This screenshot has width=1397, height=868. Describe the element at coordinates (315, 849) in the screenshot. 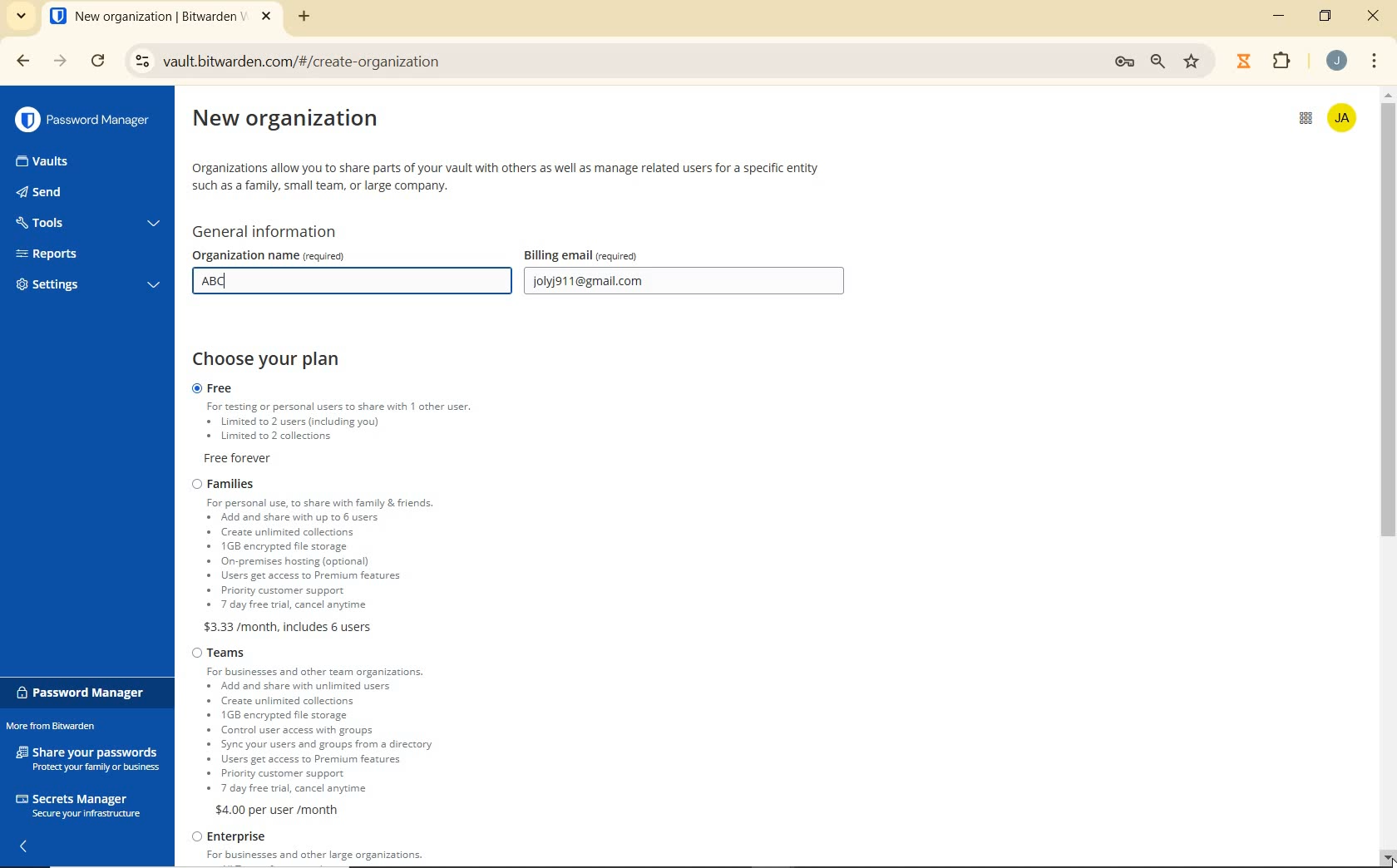

I see `enterprise plan` at that location.